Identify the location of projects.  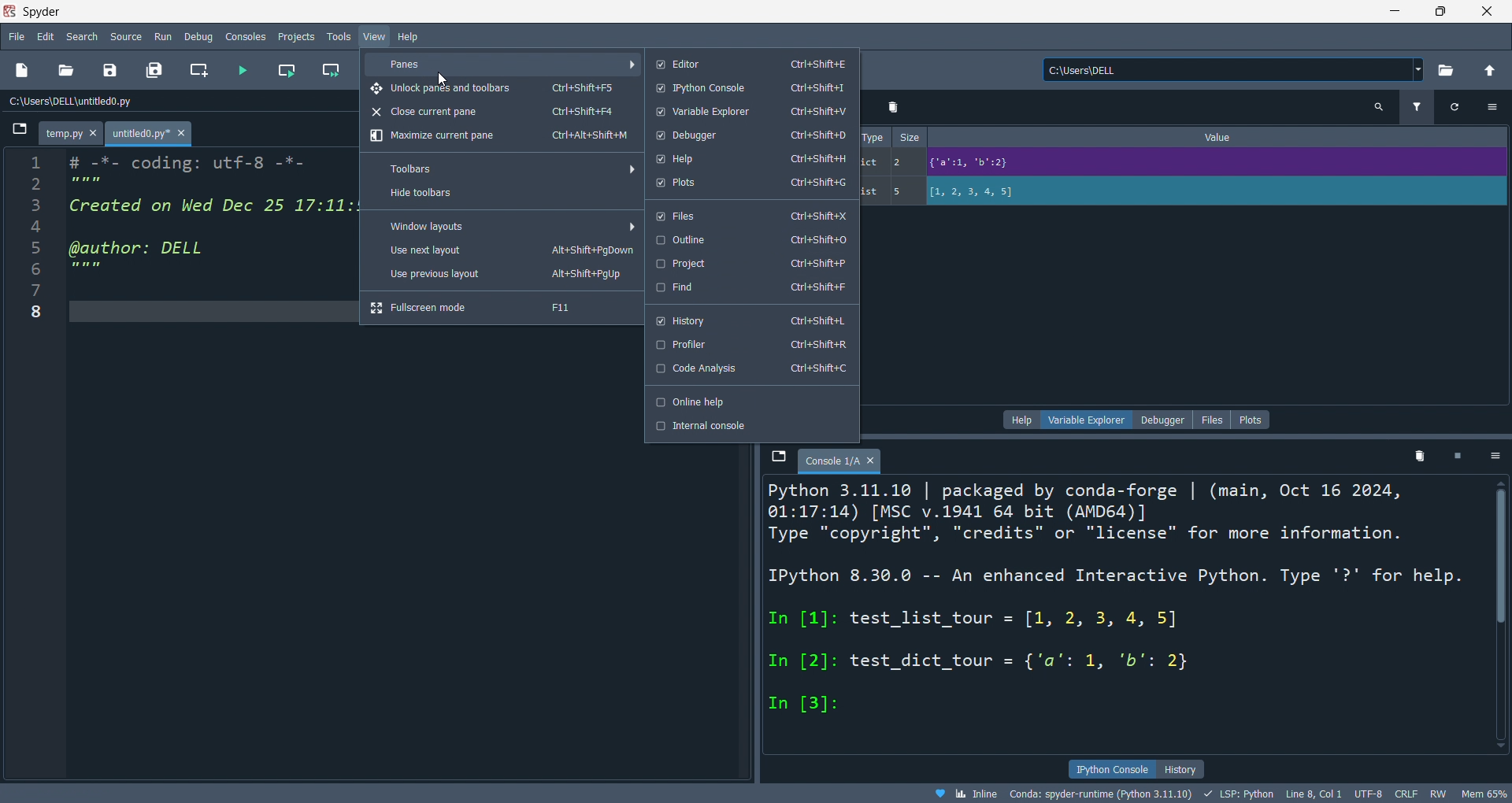
(301, 37).